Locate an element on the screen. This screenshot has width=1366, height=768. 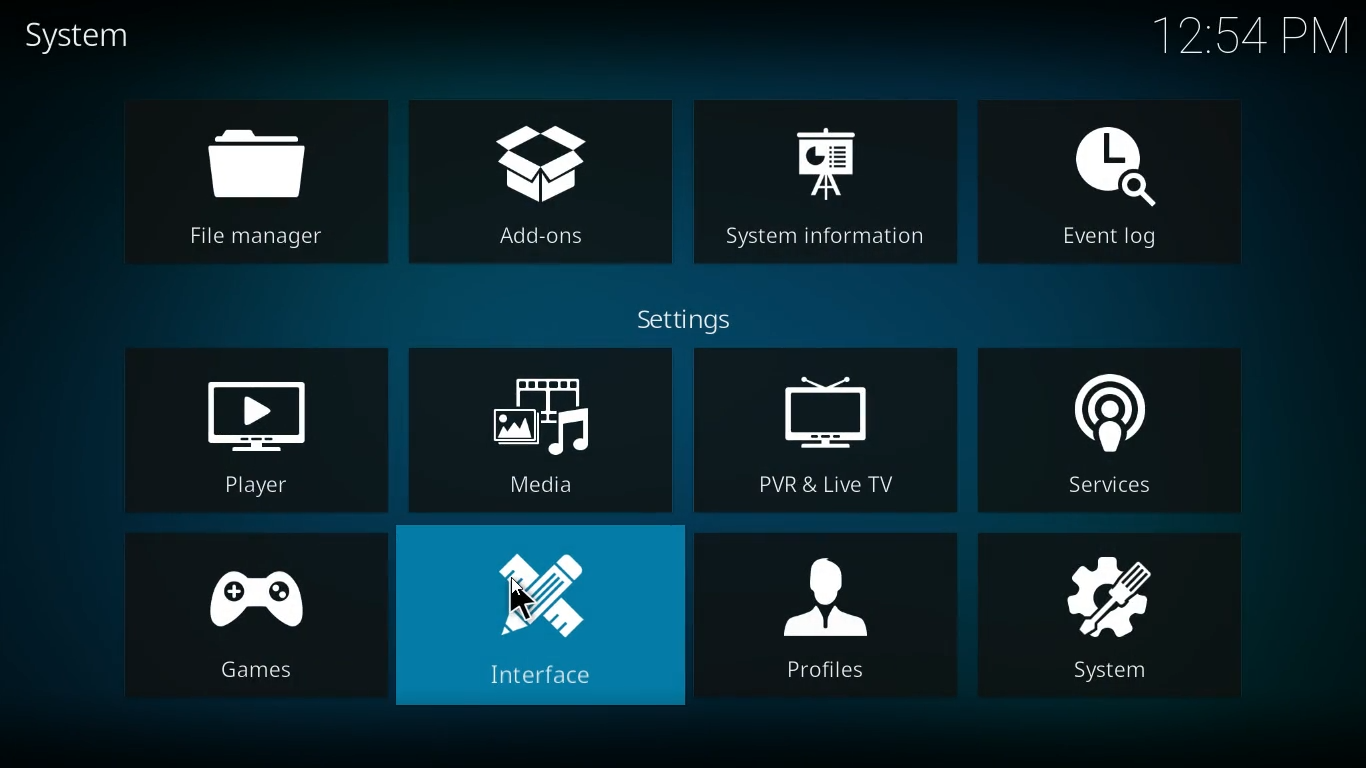
file manager is located at coordinates (245, 183).